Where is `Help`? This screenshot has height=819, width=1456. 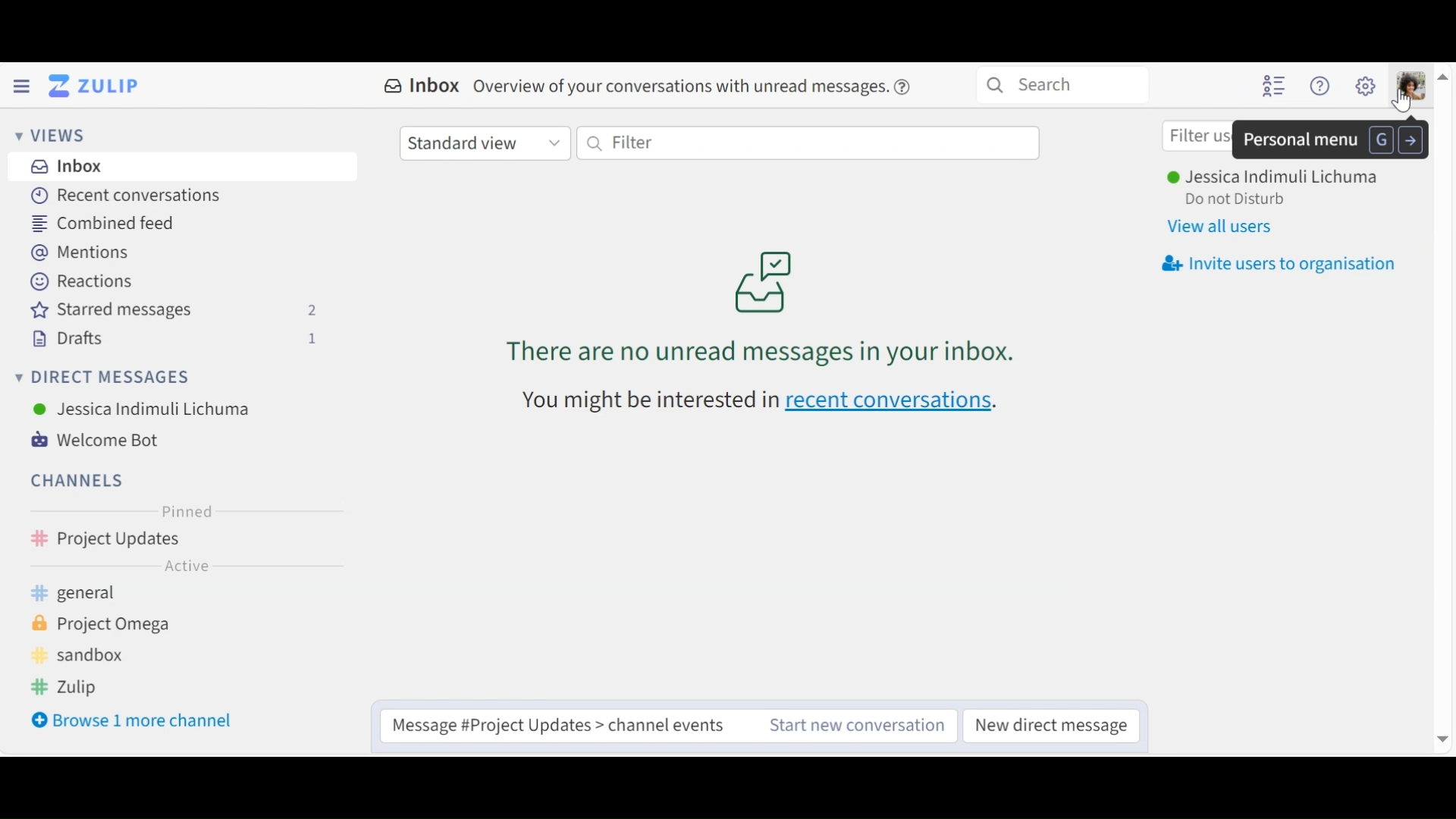 Help is located at coordinates (905, 84).